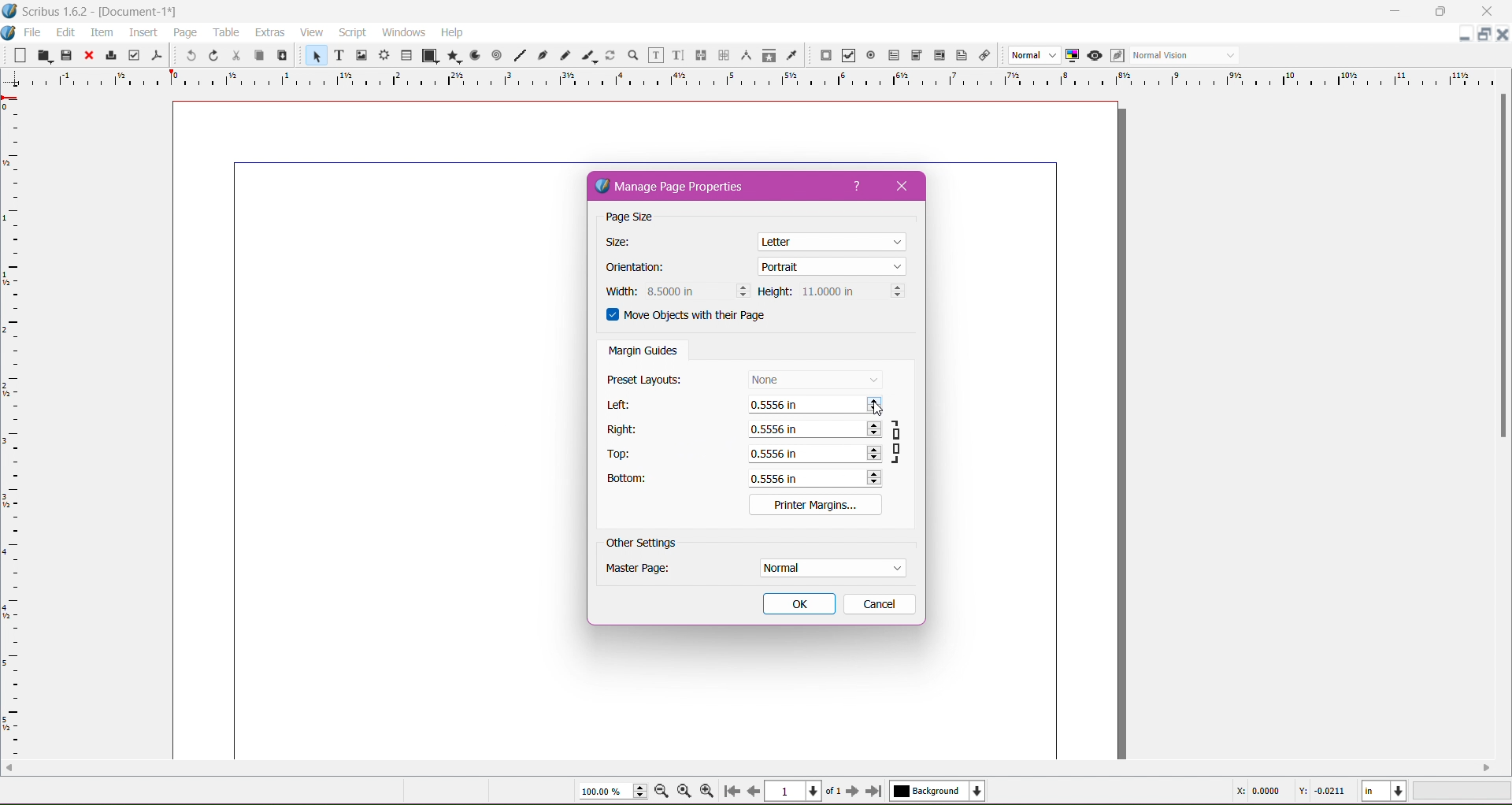 This screenshot has width=1512, height=805. What do you see at coordinates (101, 32) in the screenshot?
I see `Item` at bounding box center [101, 32].